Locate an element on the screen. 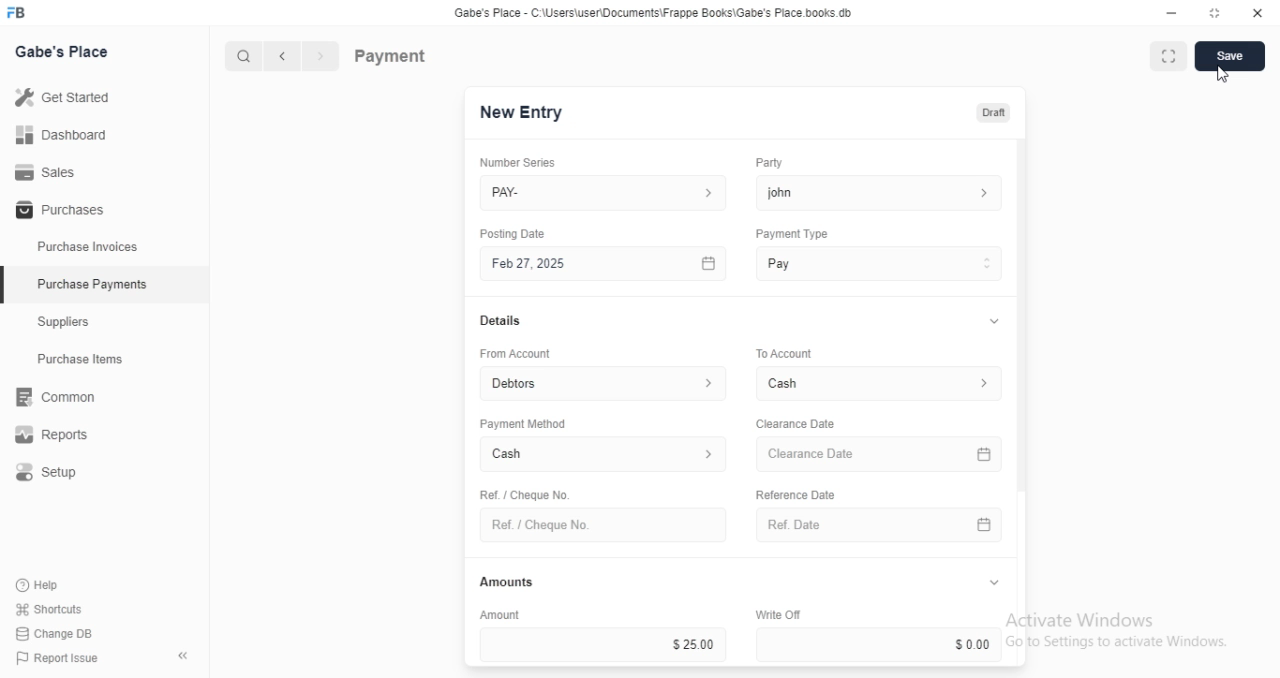 This screenshot has height=678, width=1280. Clearance Date is located at coordinates (882, 455).